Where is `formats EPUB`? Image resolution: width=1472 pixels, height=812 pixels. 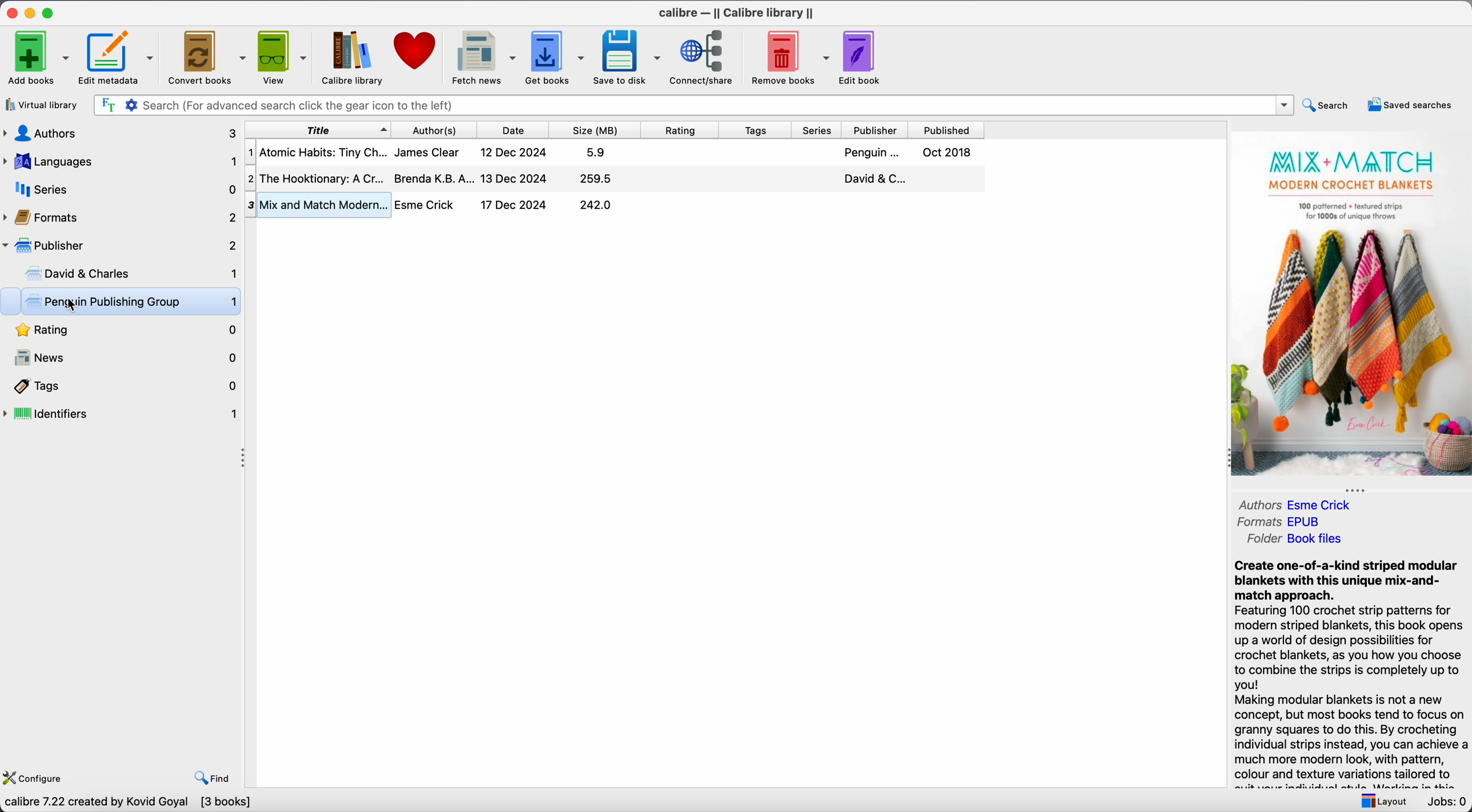
formats EPUB is located at coordinates (1284, 521).